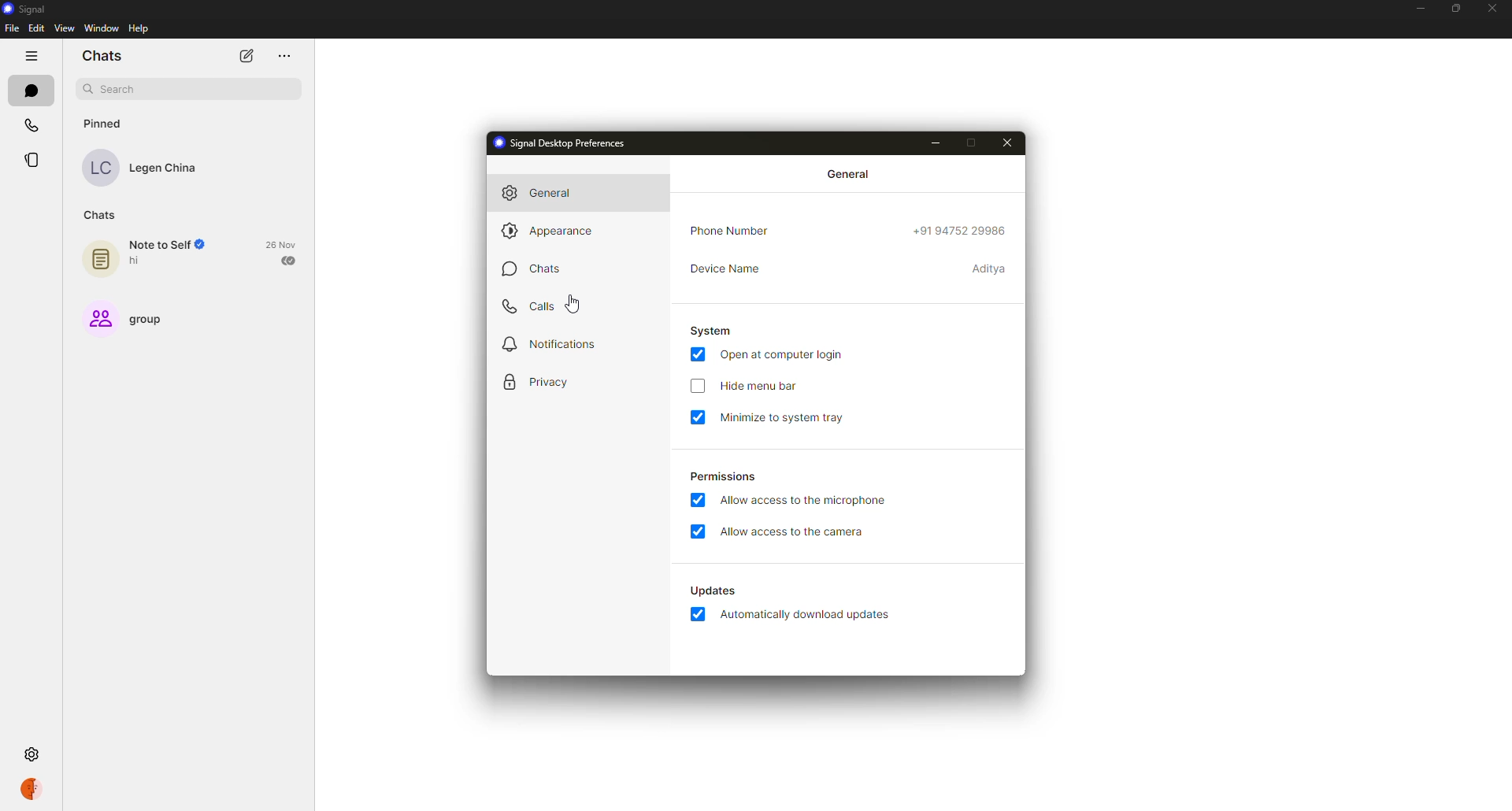 The width and height of the screenshot is (1512, 811). I want to click on chats, so click(106, 57).